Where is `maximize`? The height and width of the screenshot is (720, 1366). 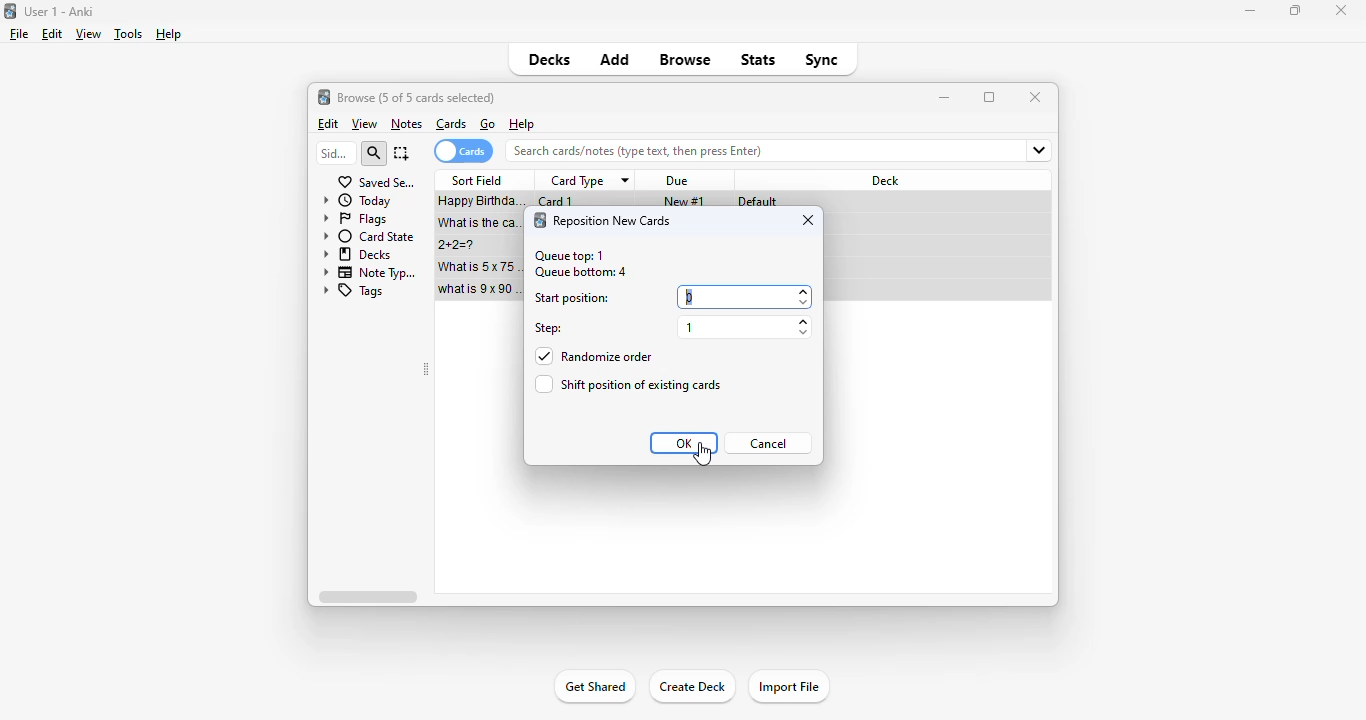
maximize is located at coordinates (989, 96).